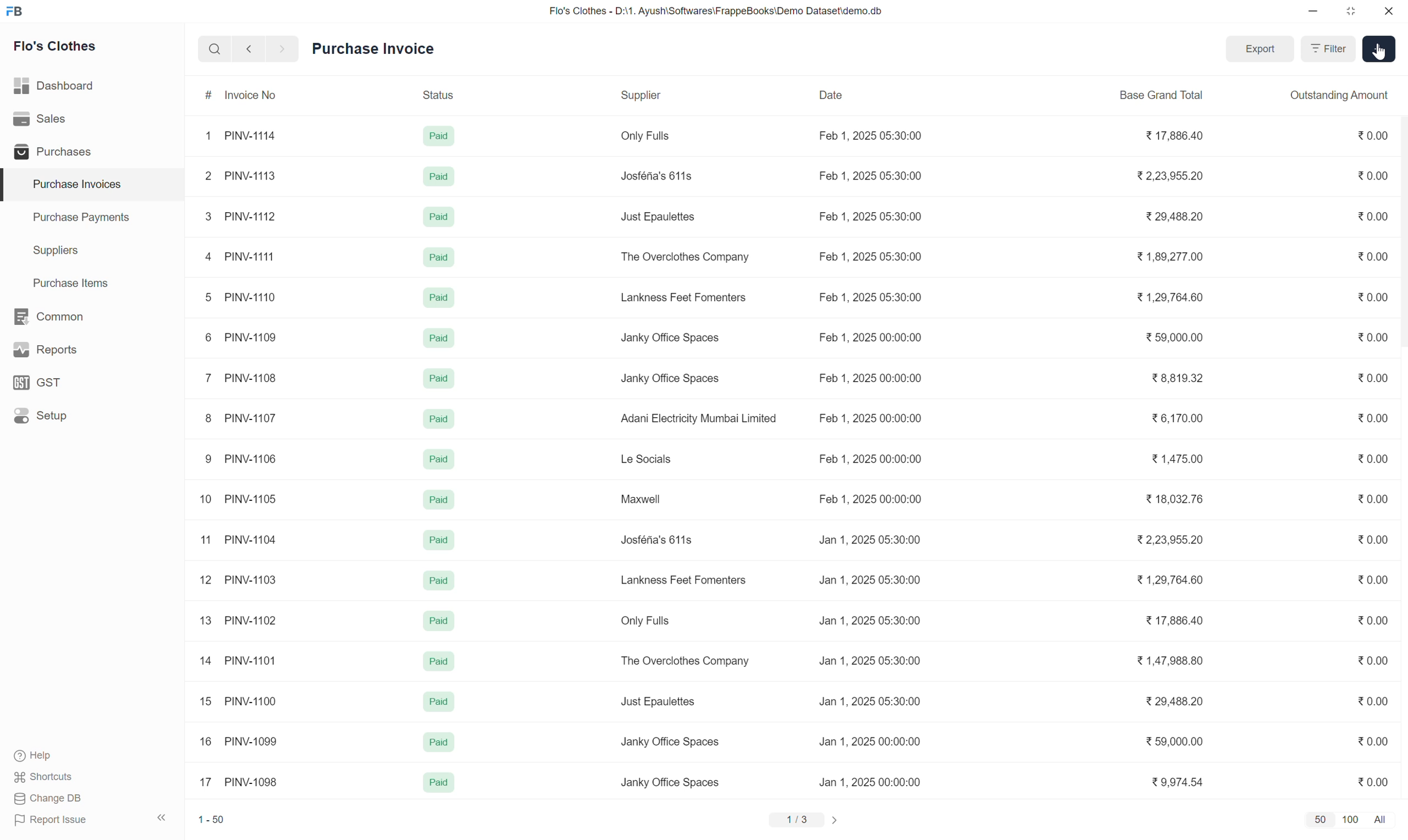 The image size is (1408, 840). I want to click on Paid, so click(439, 742).